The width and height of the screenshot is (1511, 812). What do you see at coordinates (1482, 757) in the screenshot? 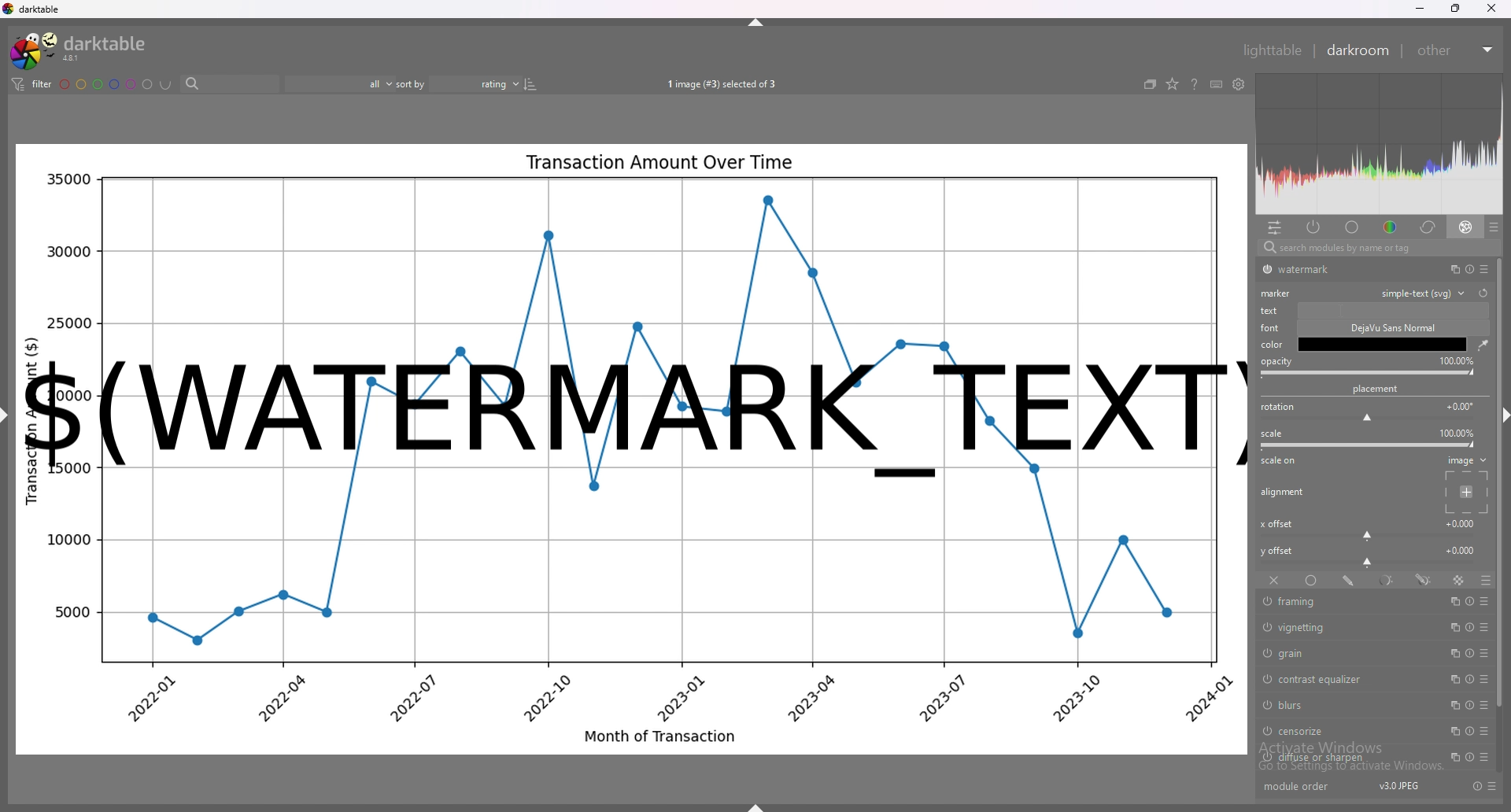
I see `presets` at bounding box center [1482, 757].